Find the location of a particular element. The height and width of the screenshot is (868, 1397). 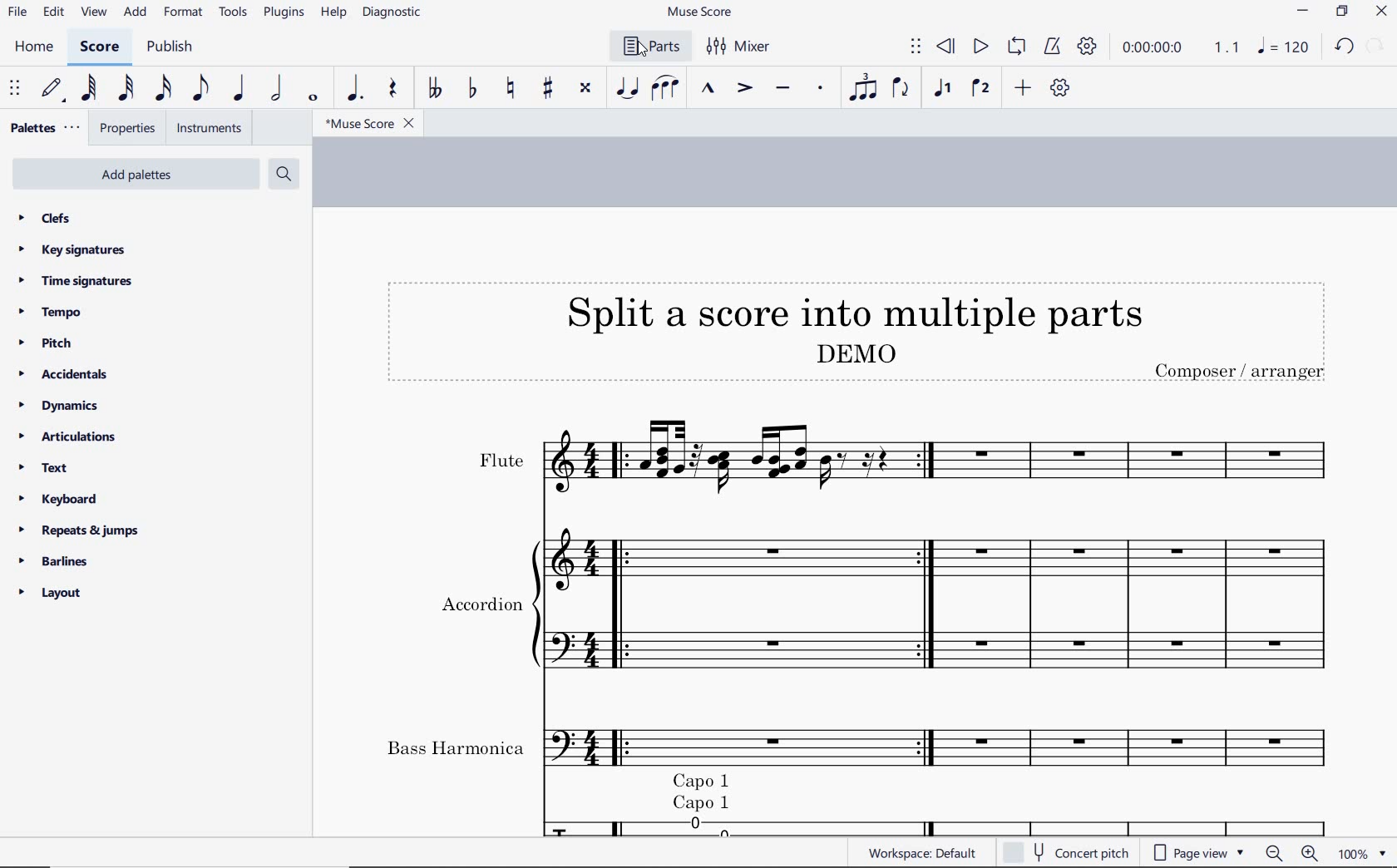

add is located at coordinates (1022, 89).